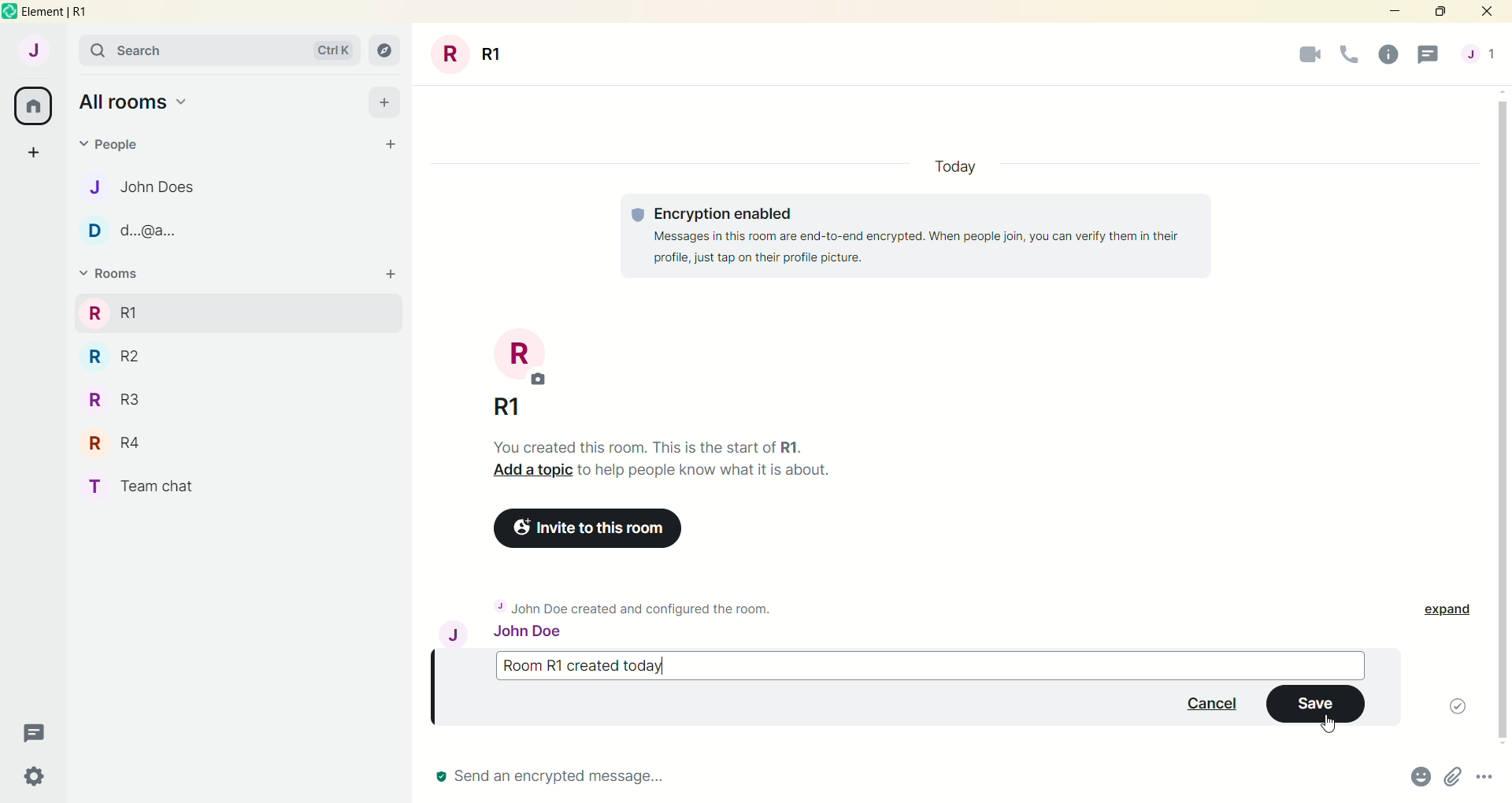 This screenshot has width=1512, height=803. I want to click on expand, so click(1443, 608).